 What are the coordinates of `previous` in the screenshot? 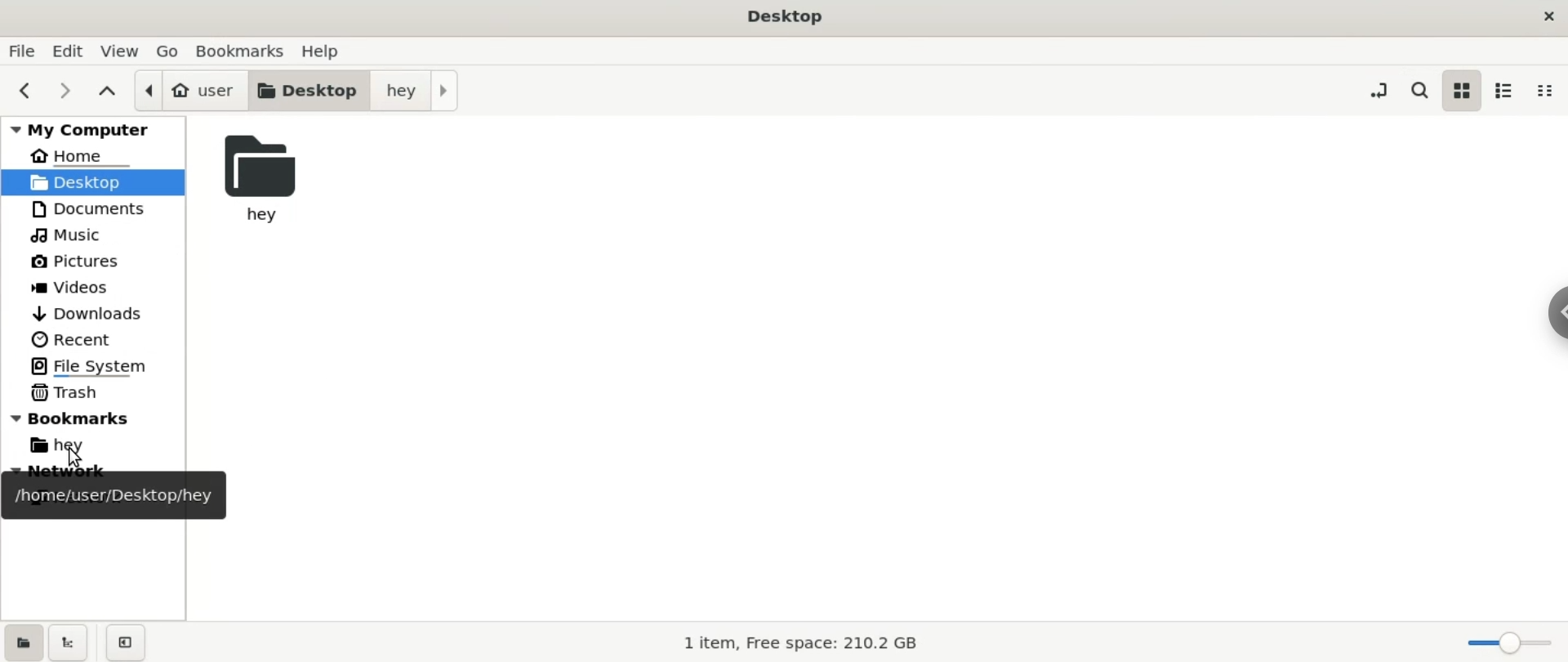 It's located at (23, 92).